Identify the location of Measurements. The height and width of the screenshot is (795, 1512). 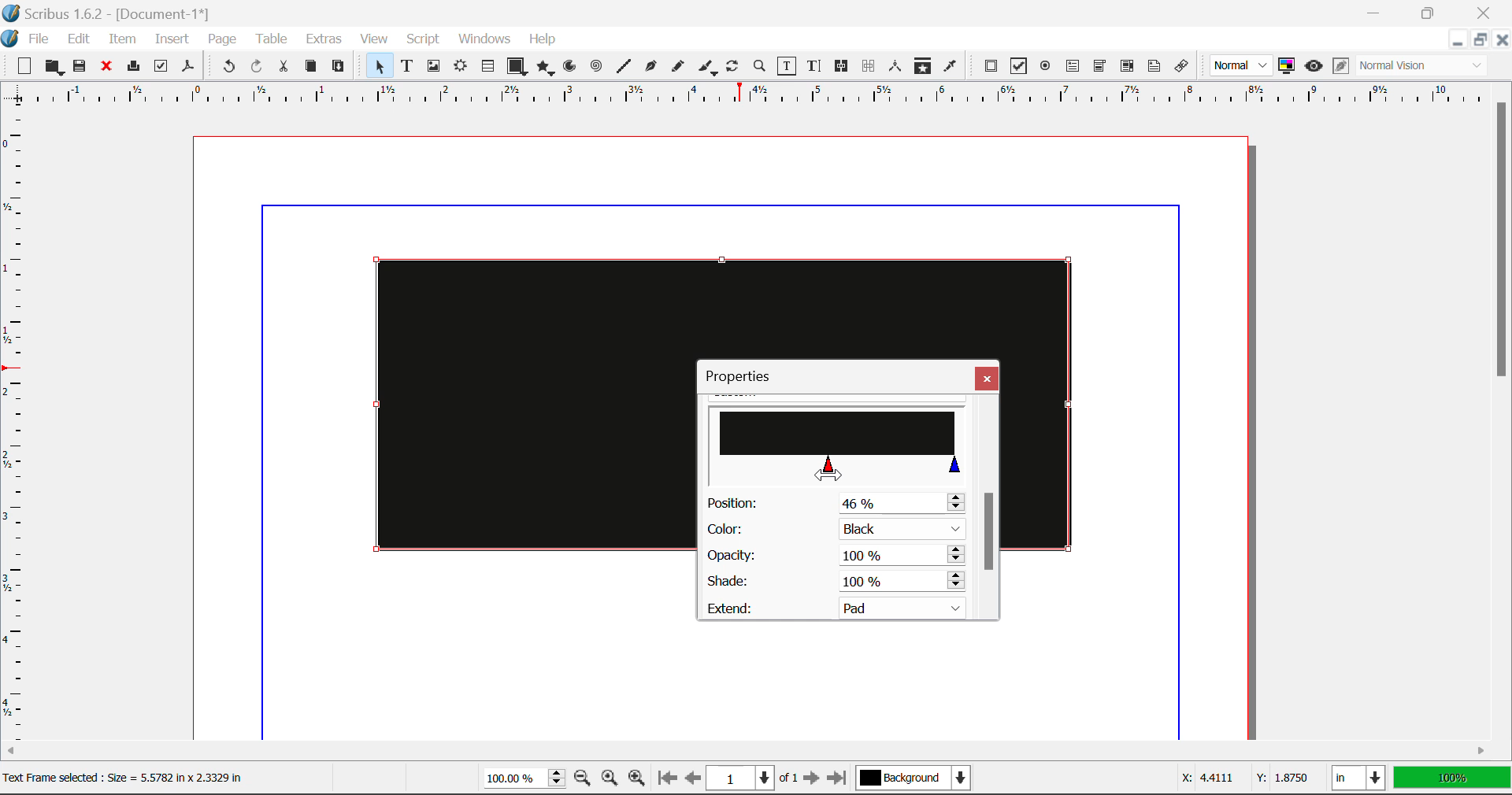
(896, 66).